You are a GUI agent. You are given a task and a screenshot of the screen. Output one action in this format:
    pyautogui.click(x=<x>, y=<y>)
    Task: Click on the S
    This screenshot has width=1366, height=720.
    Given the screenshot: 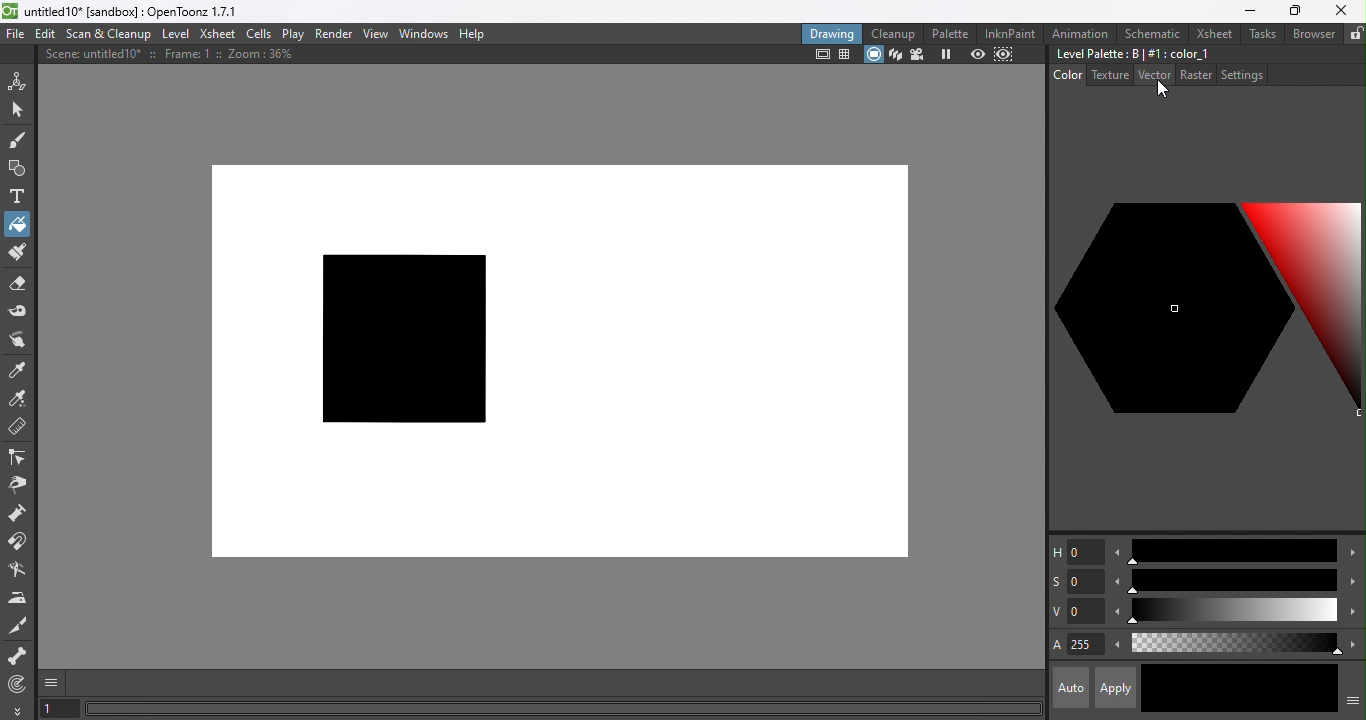 What is the action you would take?
    pyautogui.click(x=1077, y=583)
    